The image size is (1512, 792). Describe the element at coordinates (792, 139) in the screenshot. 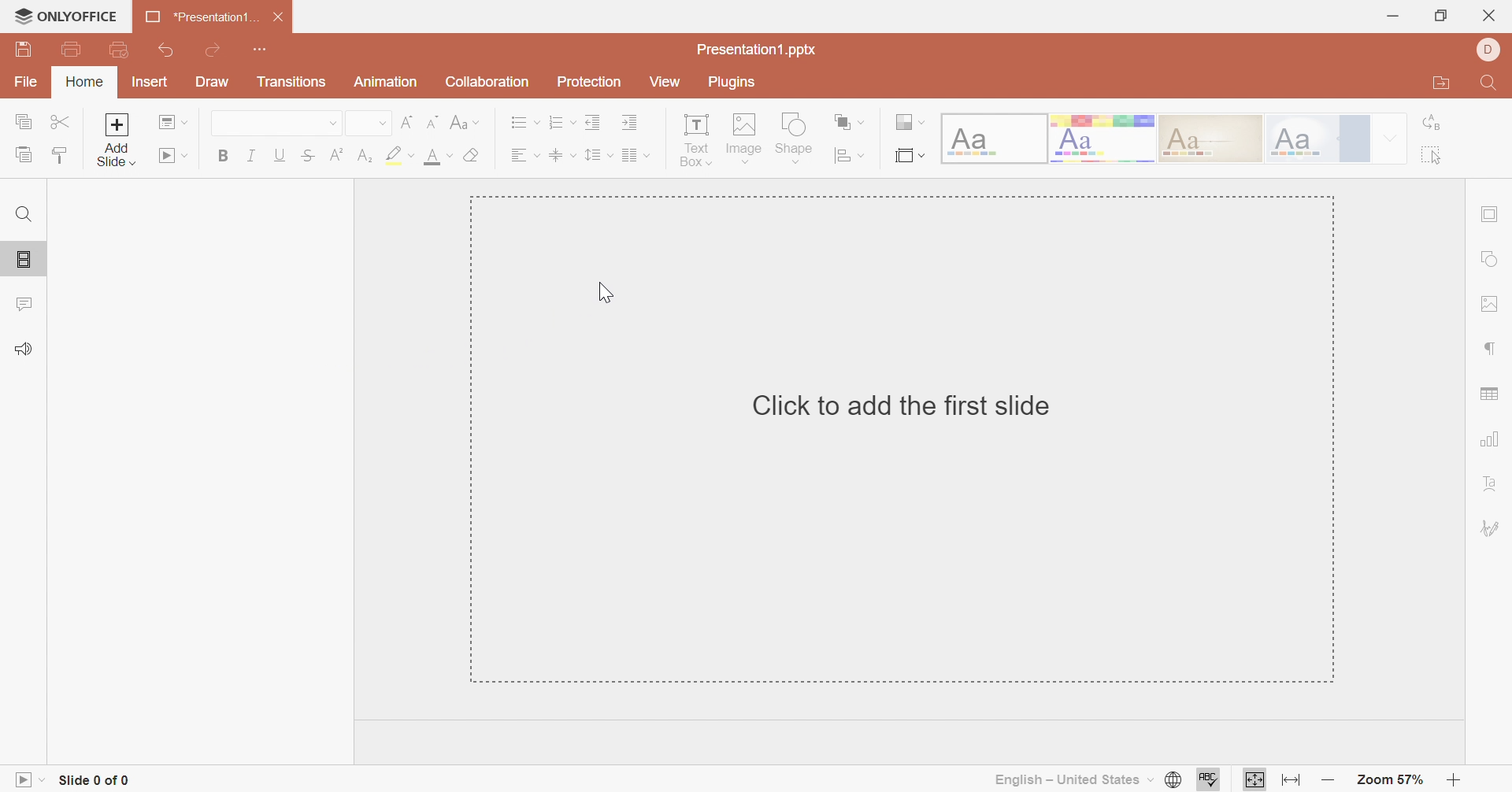

I see `Shape` at that location.